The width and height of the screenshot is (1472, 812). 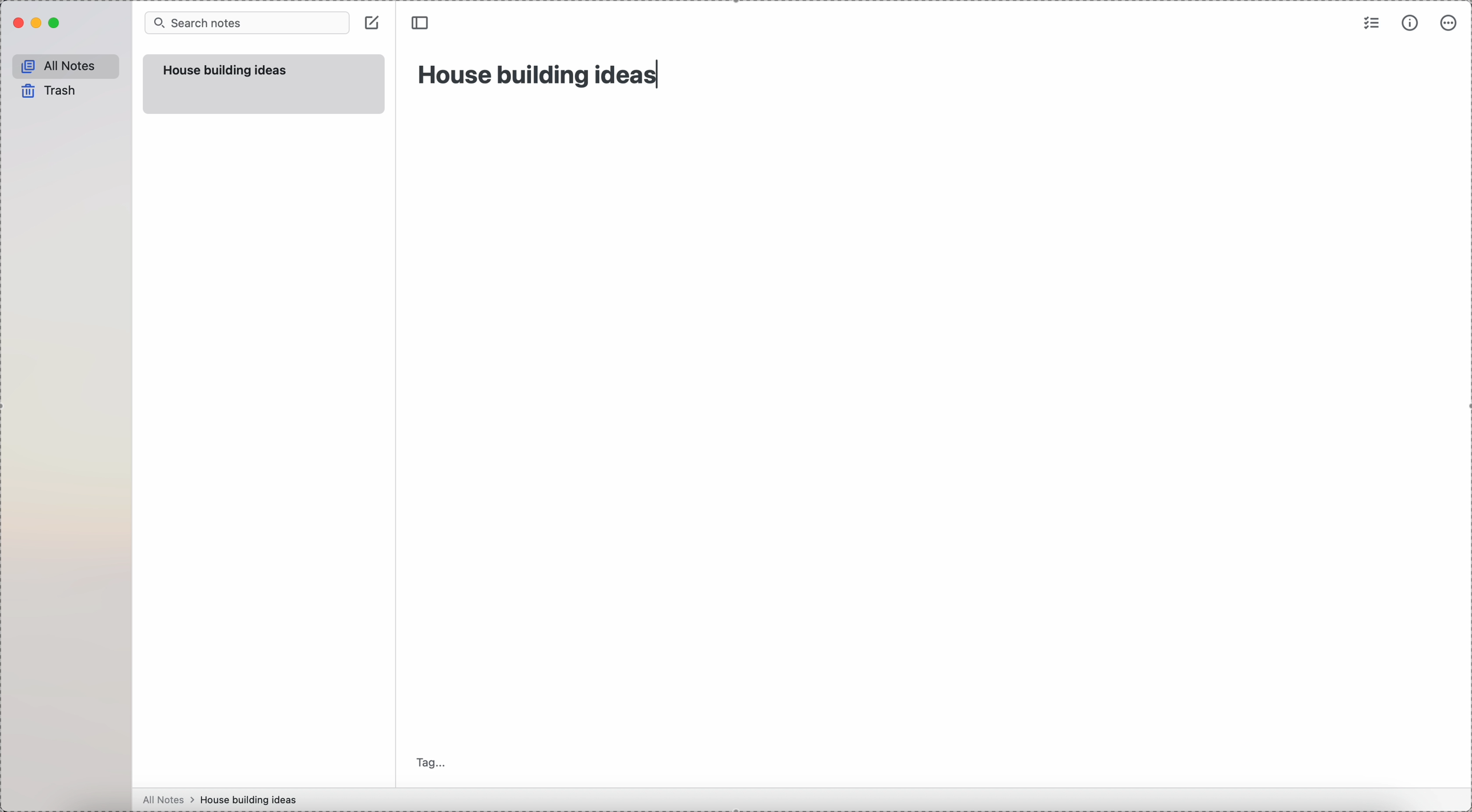 I want to click on minimize Simplenote, so click(x=38, y=25).